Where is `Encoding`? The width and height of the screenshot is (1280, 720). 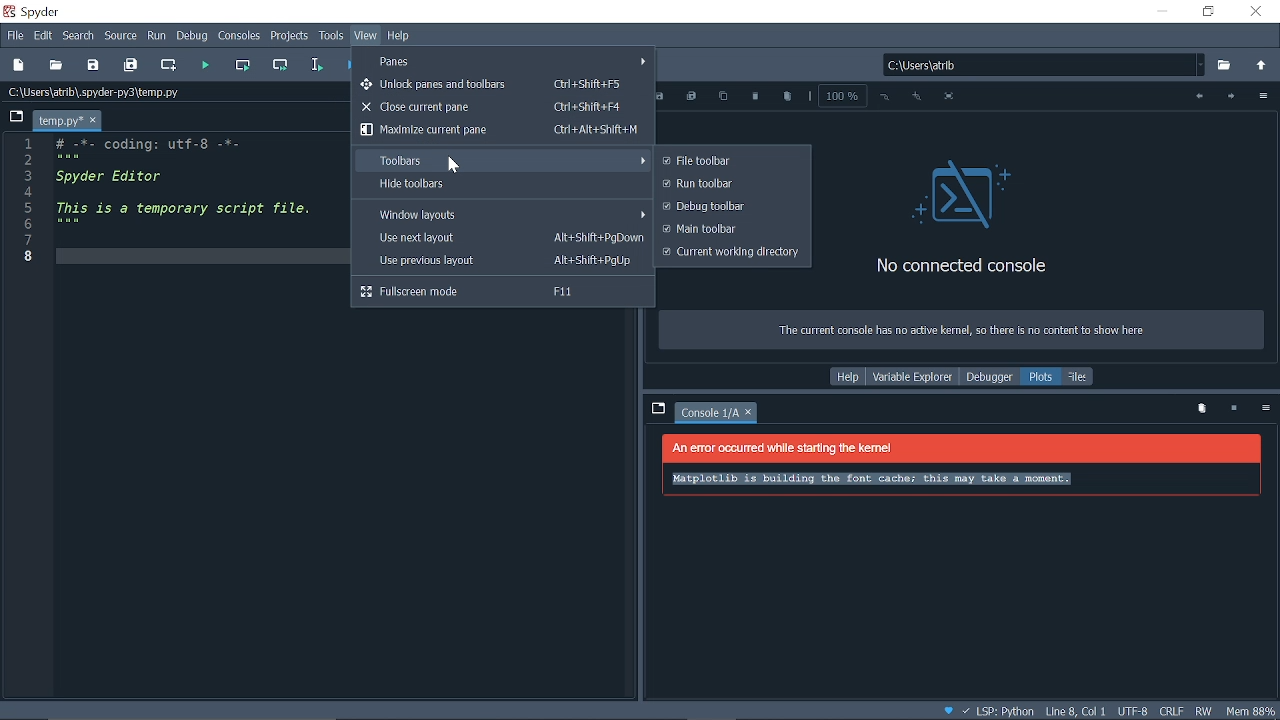 Encoding is located at coordinates (1134, 712).